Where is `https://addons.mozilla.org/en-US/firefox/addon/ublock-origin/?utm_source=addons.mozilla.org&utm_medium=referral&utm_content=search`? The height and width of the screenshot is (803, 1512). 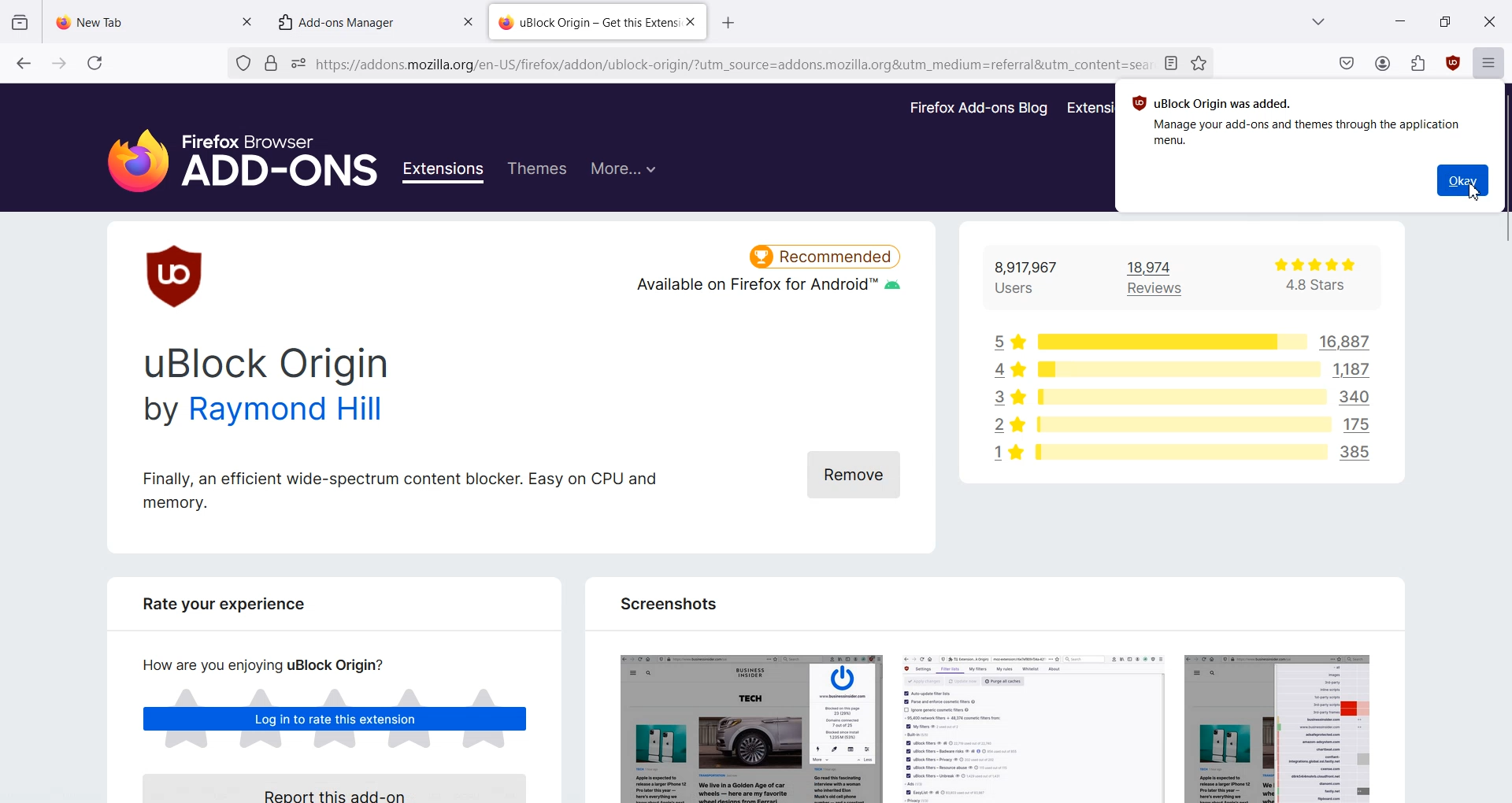
https://addons.mozilla.org/en-US/firefox/addon/ublock-origin/?utm_source=addons.mozilla.org&utm_medium=referral&utm_content=search is located at coordinates (733, 65).